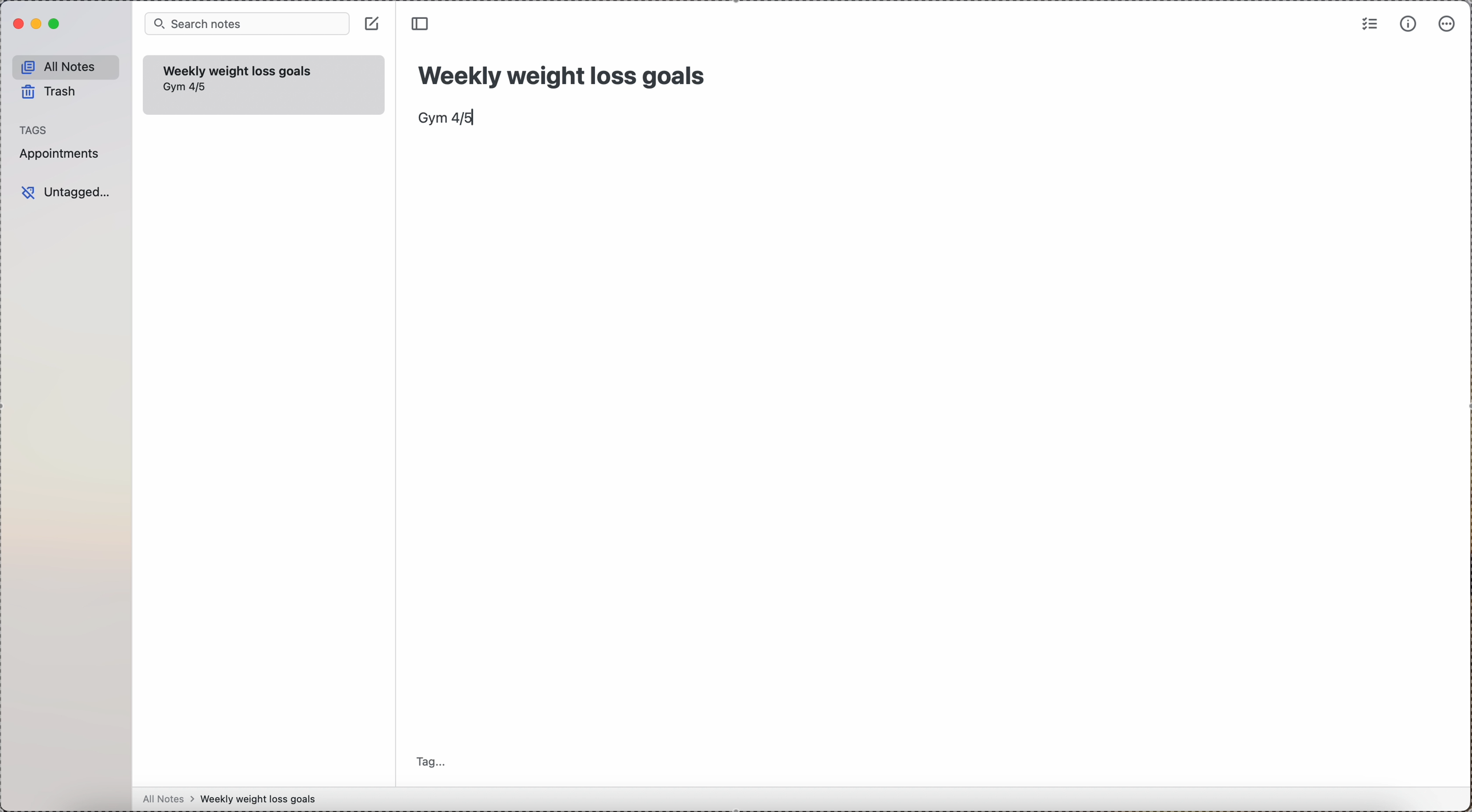  Describe the element at coordinates (38, 23) in the screenshot. I see `minimize Simplenote` at that location.